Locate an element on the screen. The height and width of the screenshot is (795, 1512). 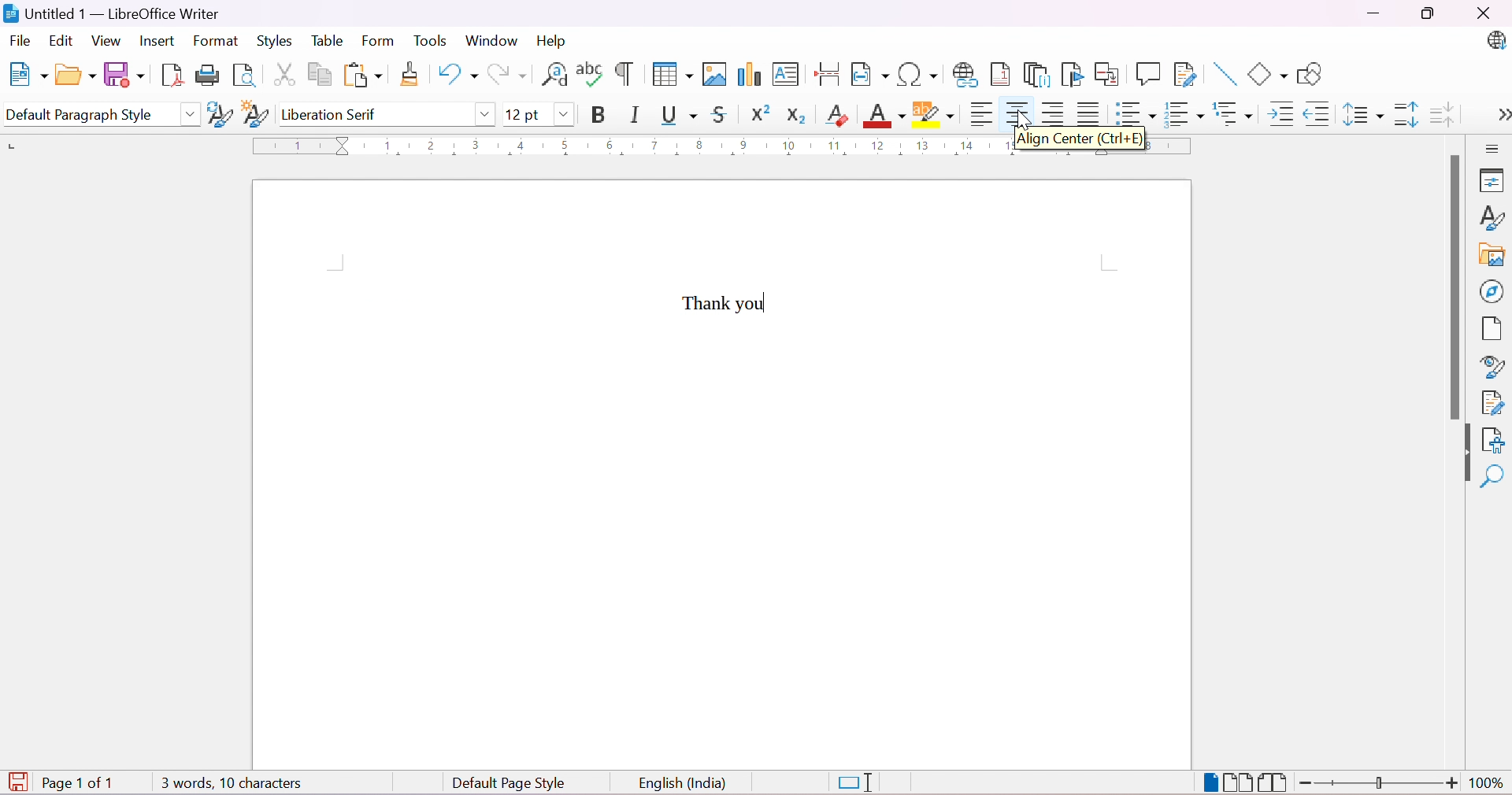
Find and Replace is located at coordinates (555, 79).